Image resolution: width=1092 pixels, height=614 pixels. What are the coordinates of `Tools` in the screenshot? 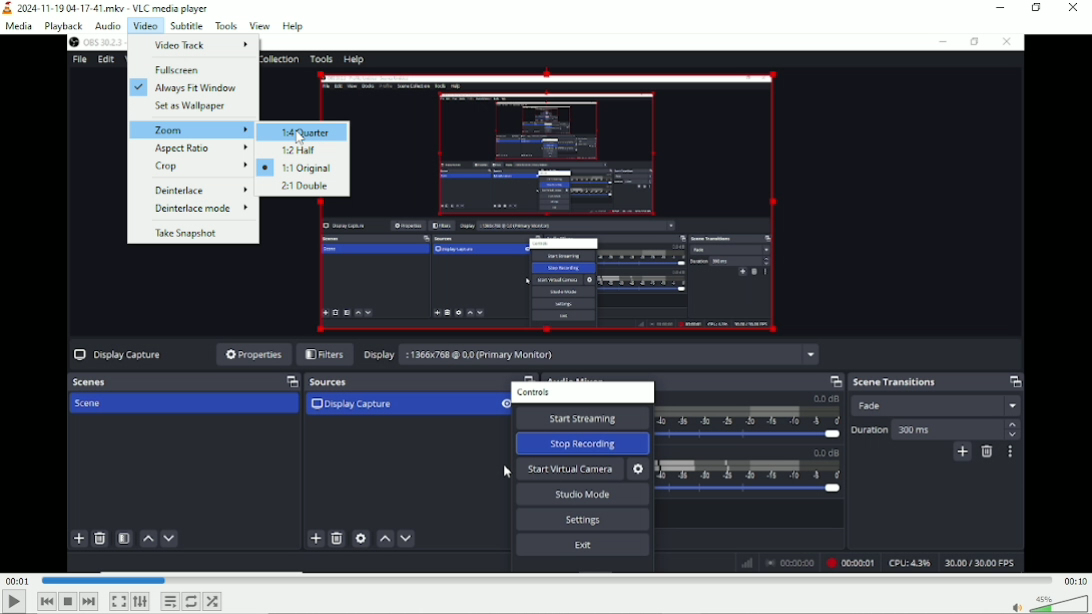 It's located at (226, 26).